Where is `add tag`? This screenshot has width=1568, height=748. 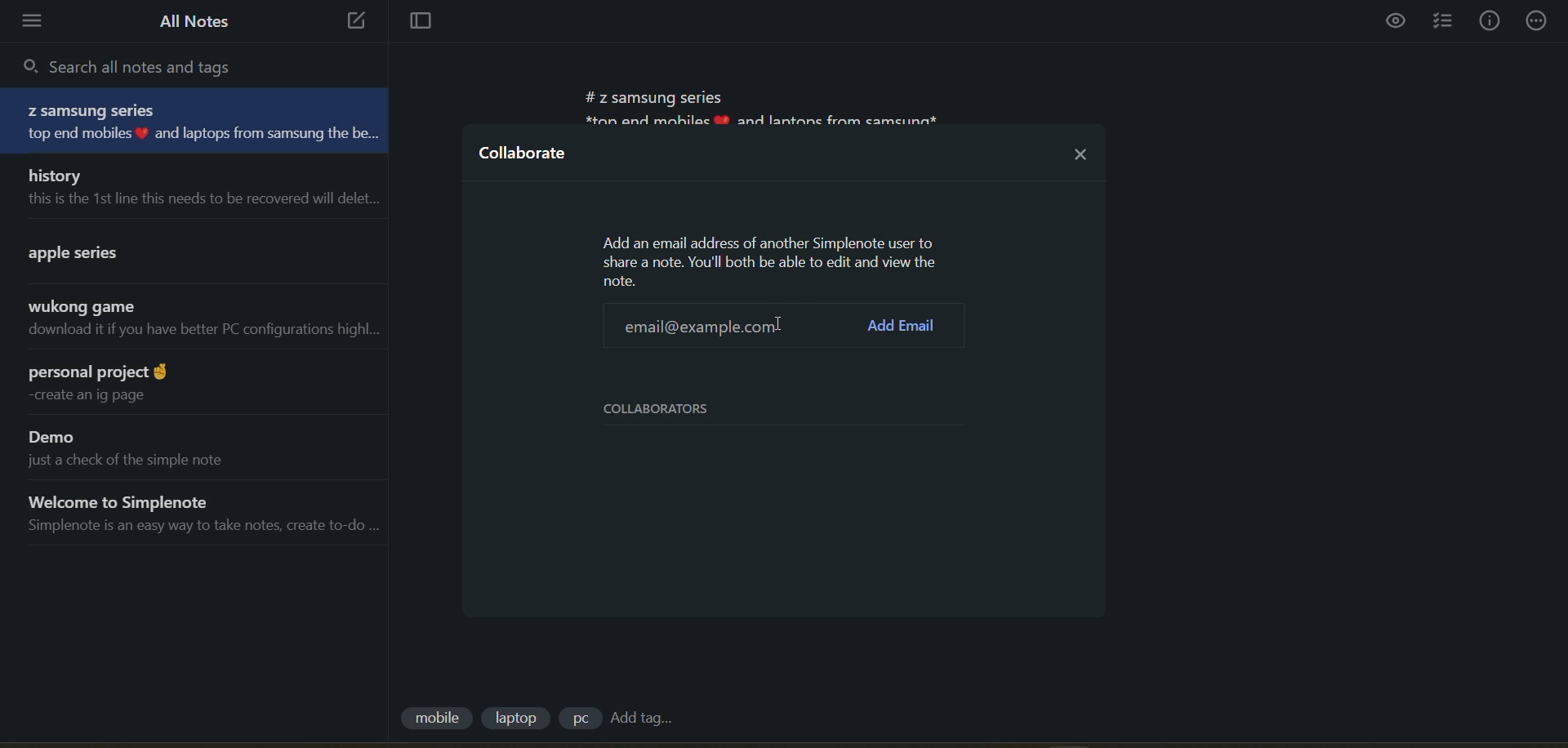 add tag is located at coordinates (640, 719).